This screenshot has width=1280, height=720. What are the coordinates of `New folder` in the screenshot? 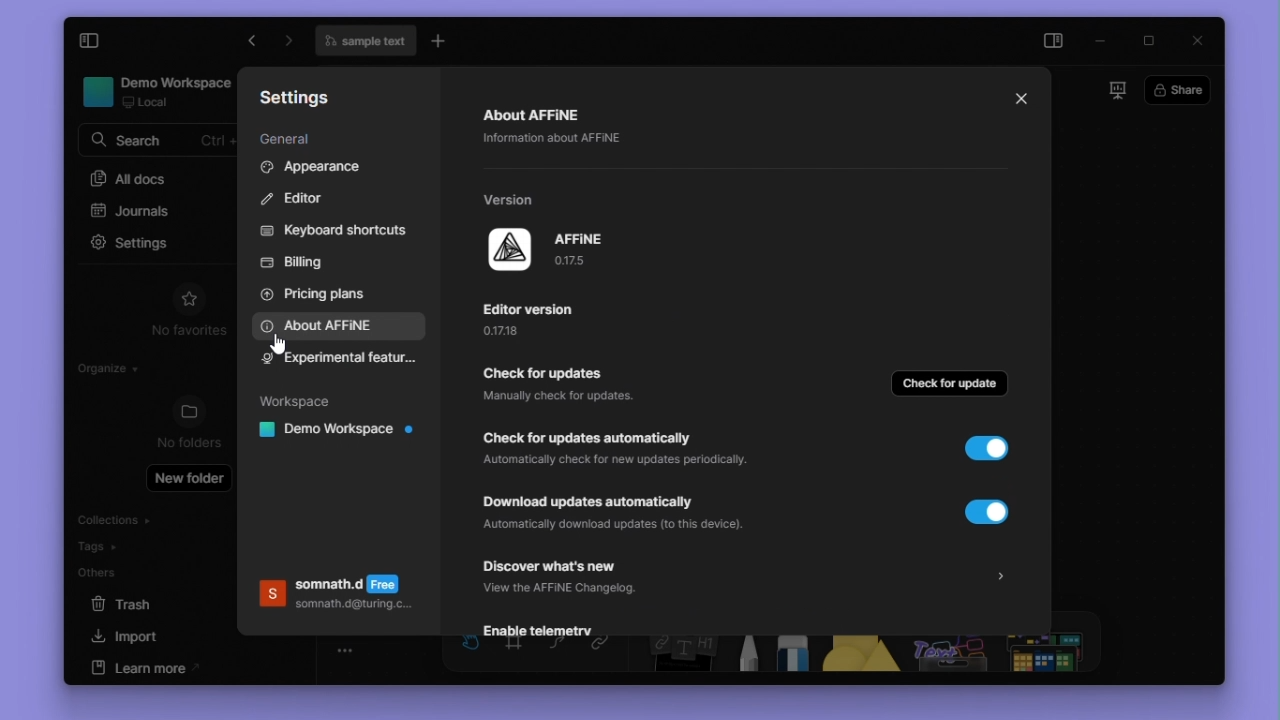 It's located at (190, 477).